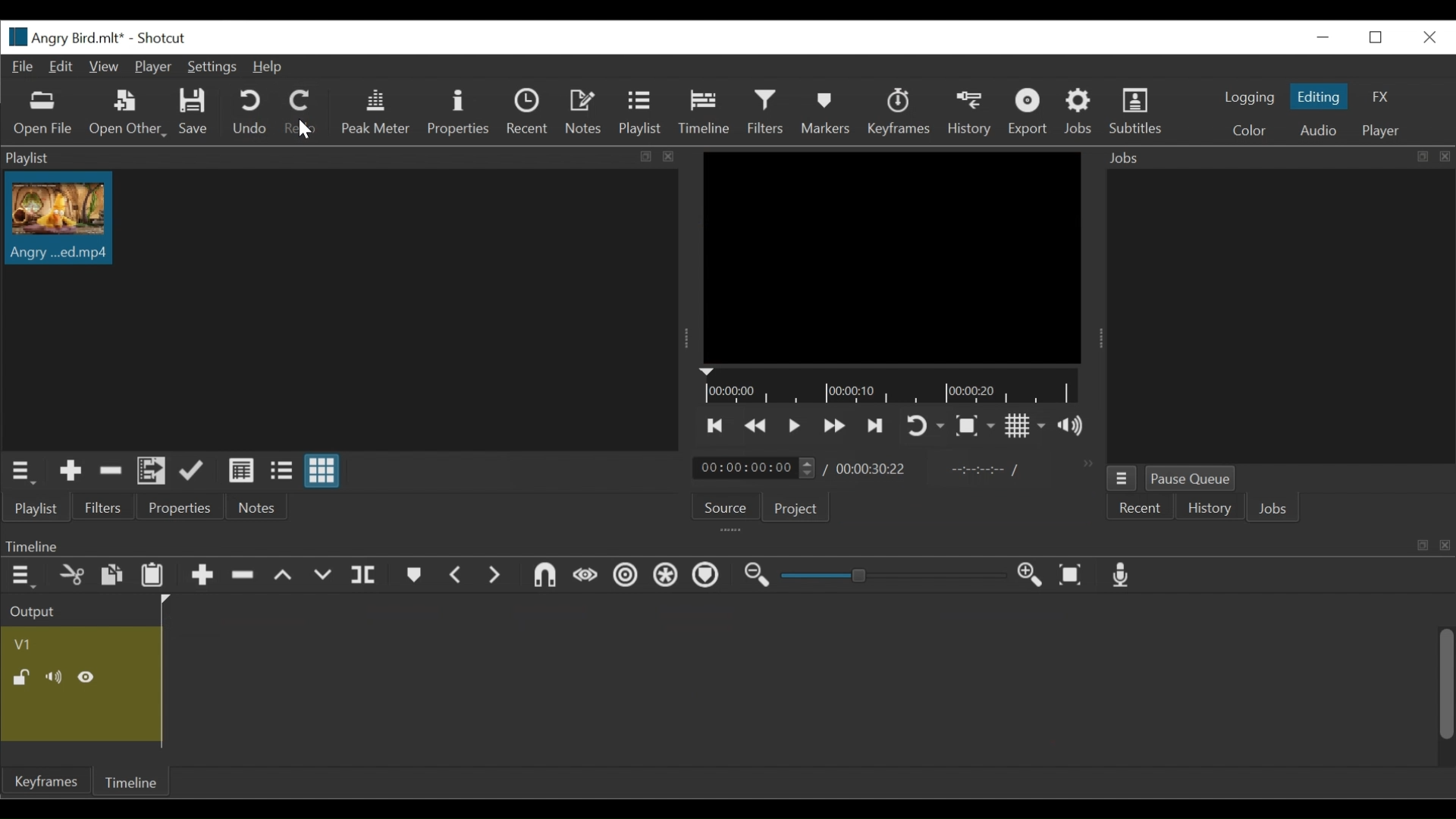 This screenshot has height=819, width=1456. Describe the element at coordinates (753, 468) in the screenshot. I see `current duration` at that location.